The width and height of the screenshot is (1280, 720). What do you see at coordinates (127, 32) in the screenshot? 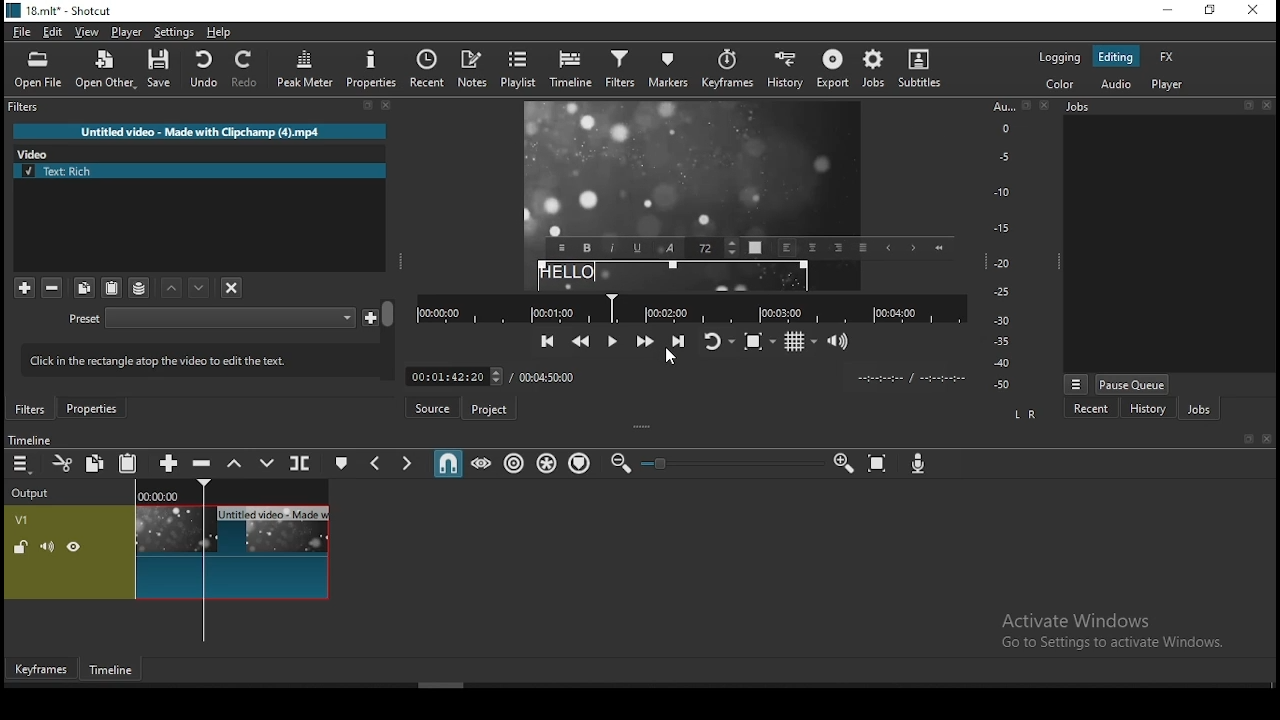
I see `player` at bounding box center [127, 32].